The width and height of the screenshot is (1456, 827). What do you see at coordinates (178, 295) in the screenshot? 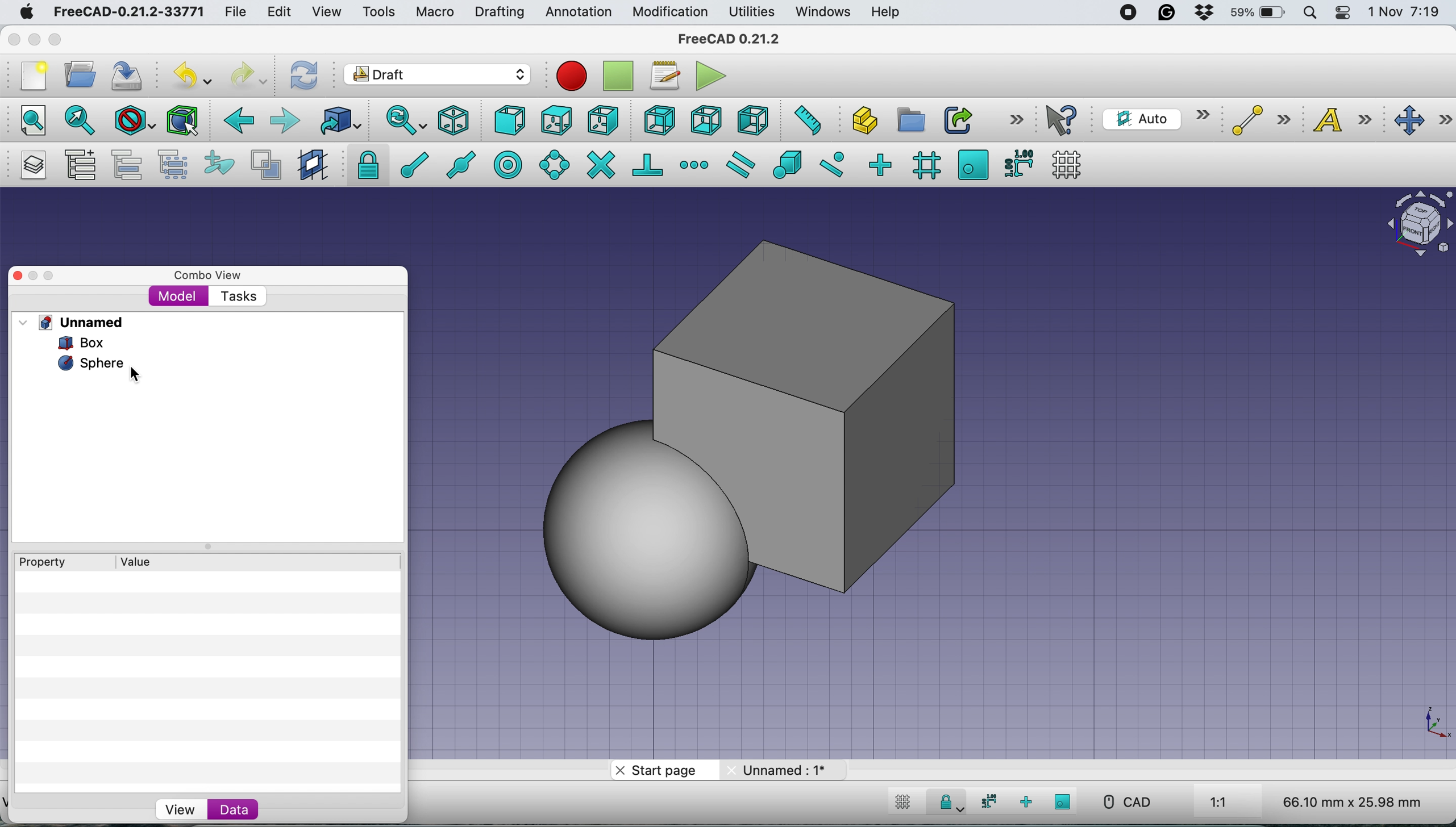
I see `model` at bounding box center [178, 295].